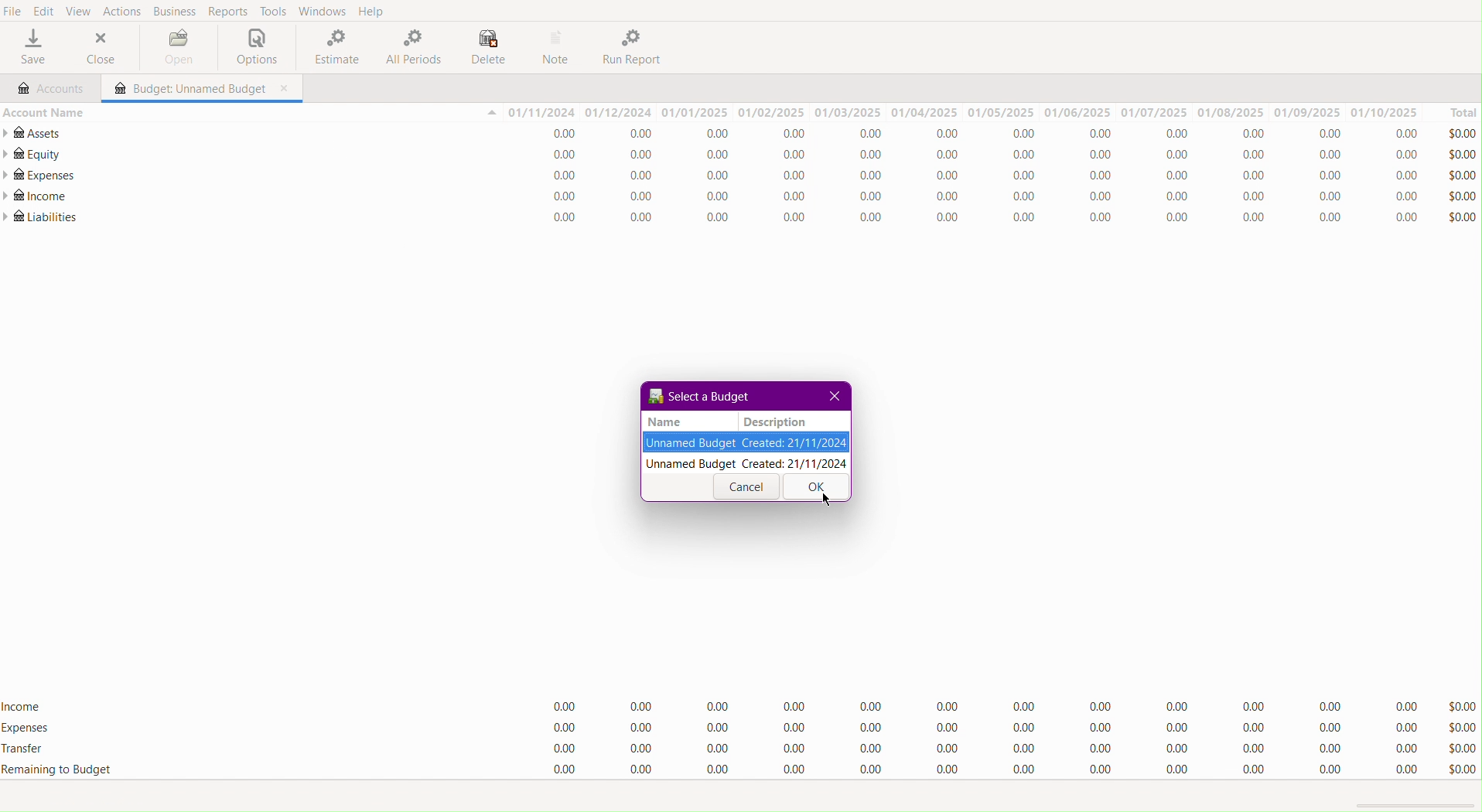  What do you see at coordinates (286, 89) in the screenshot?
I see `close` at bounding box center [286, 89].